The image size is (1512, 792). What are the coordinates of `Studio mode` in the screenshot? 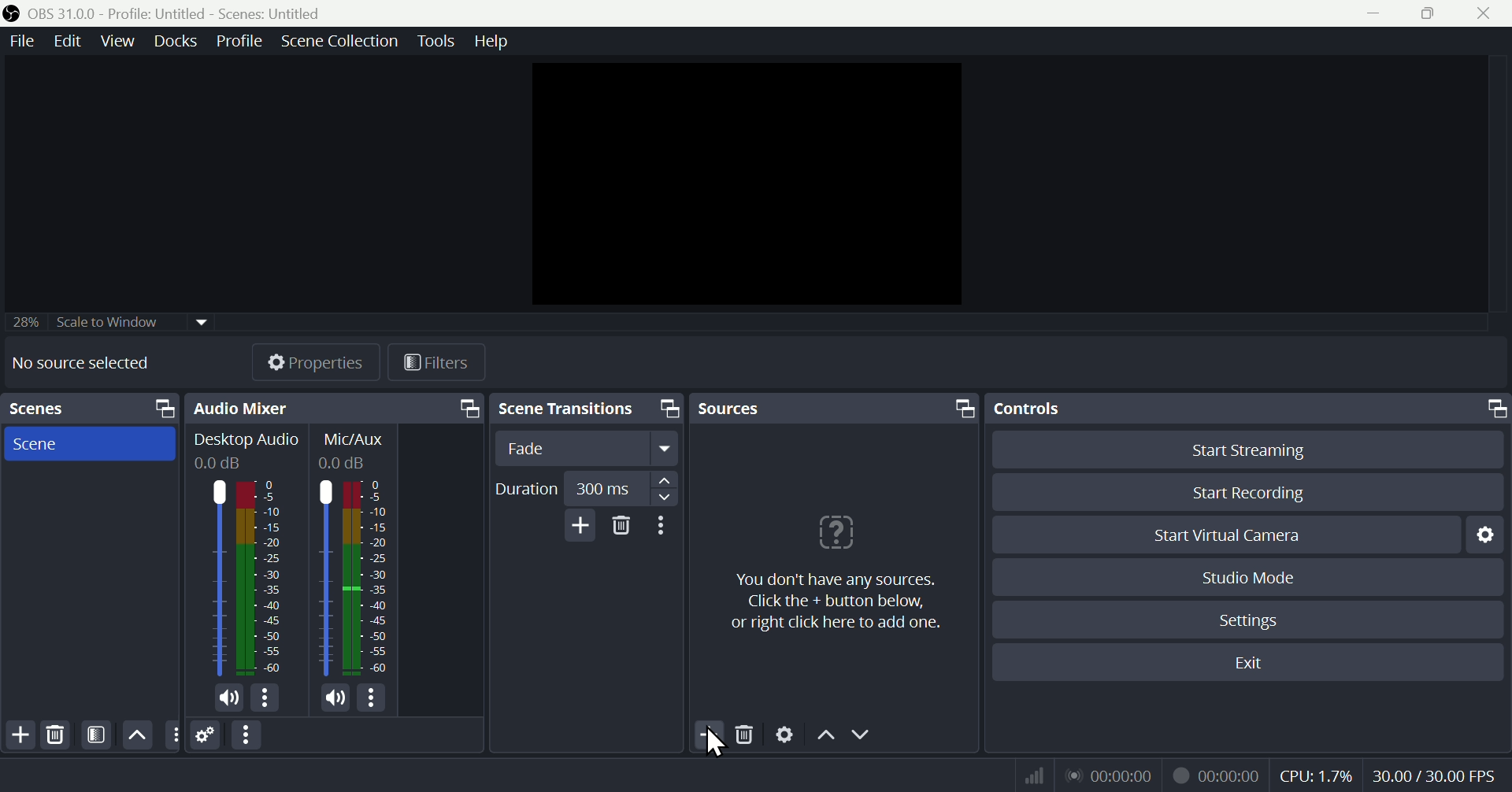 It's located at (1250, 577).